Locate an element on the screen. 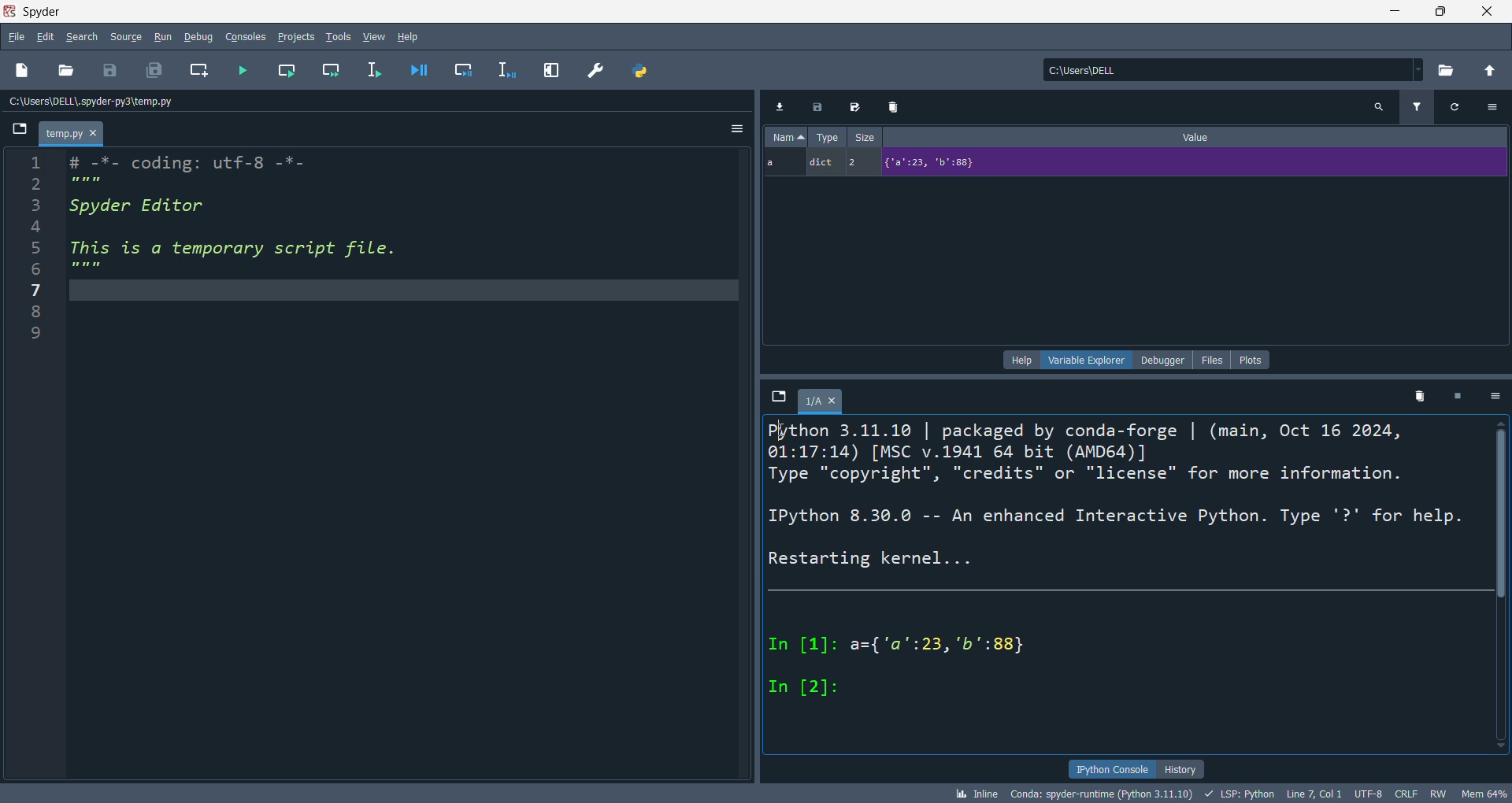  open folder is located at coordinates (65, 72).